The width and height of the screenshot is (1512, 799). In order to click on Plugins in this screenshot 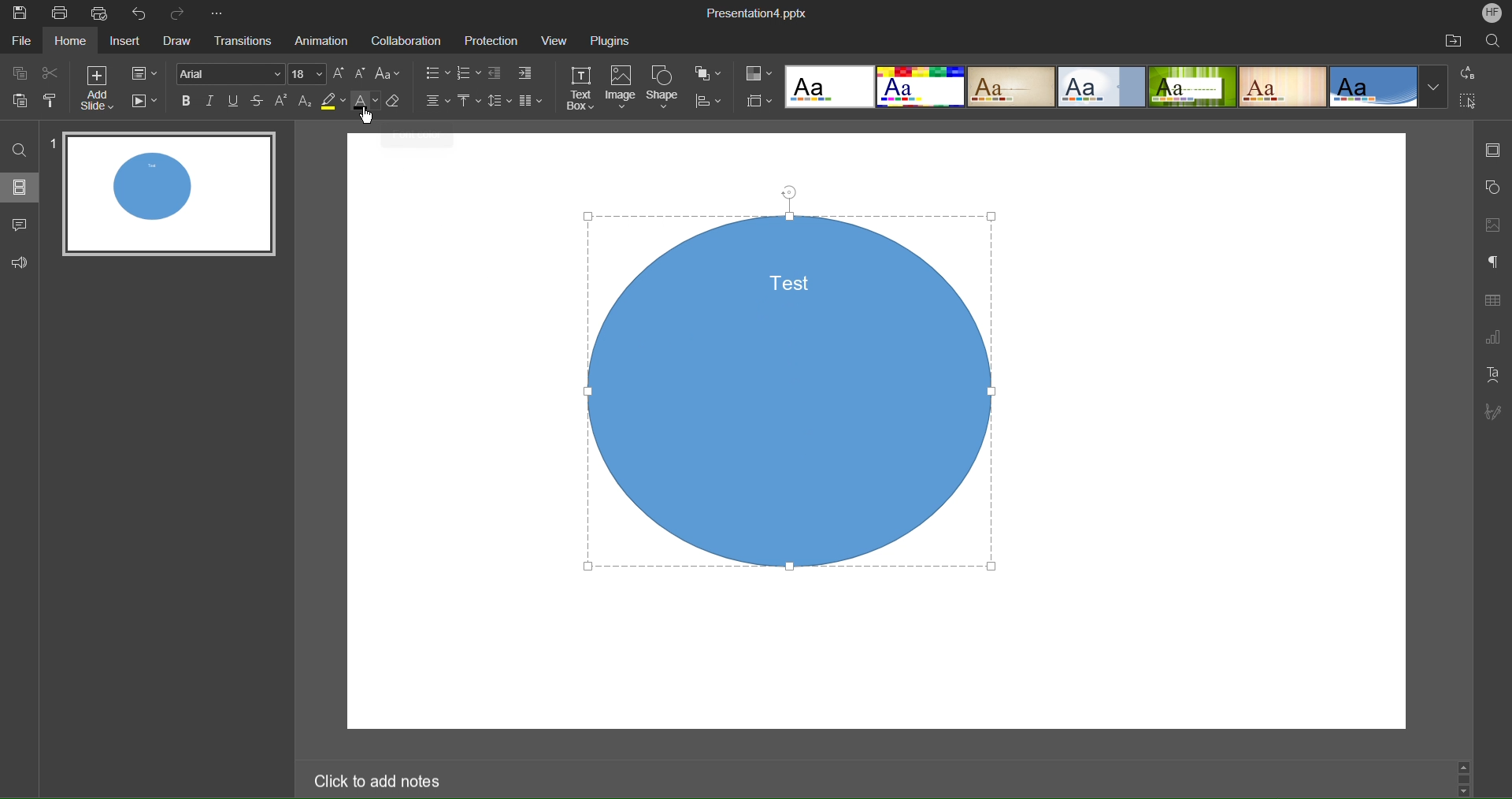, I will do `click(613, 40)`.